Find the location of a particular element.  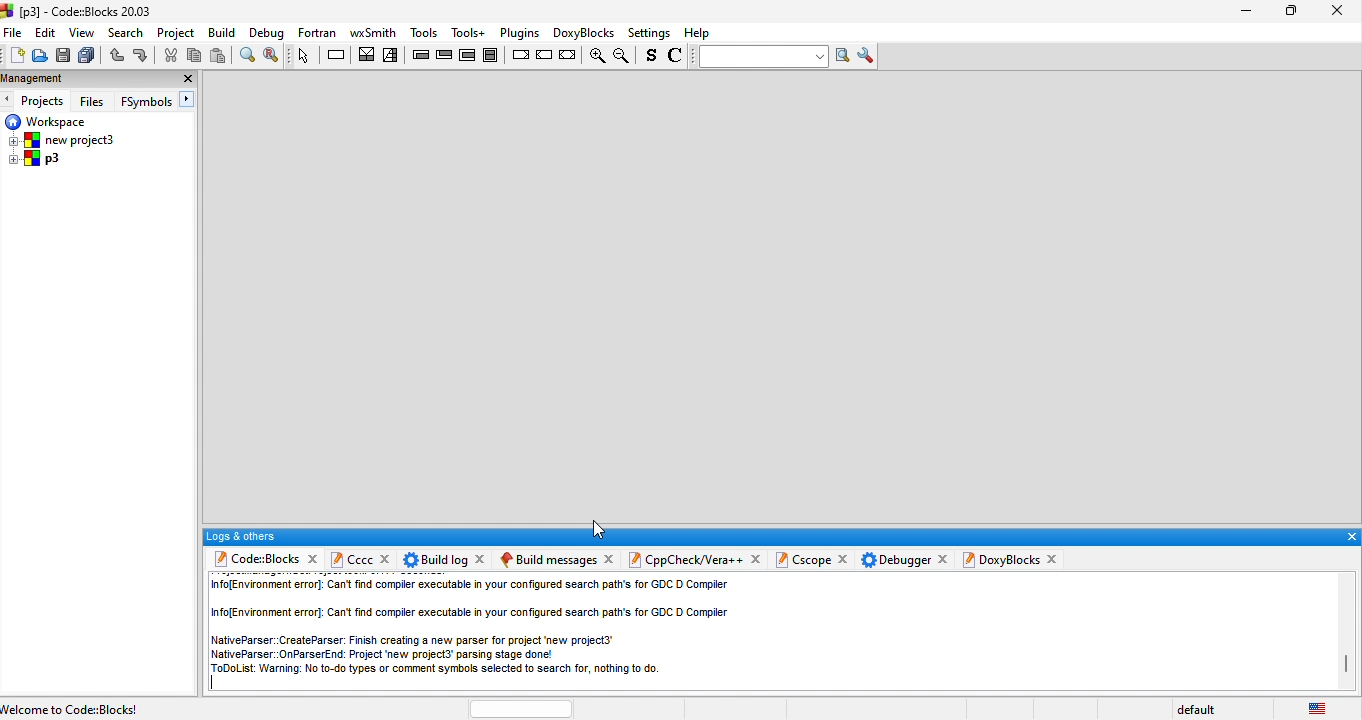

close is located at coordinates (843, 560).